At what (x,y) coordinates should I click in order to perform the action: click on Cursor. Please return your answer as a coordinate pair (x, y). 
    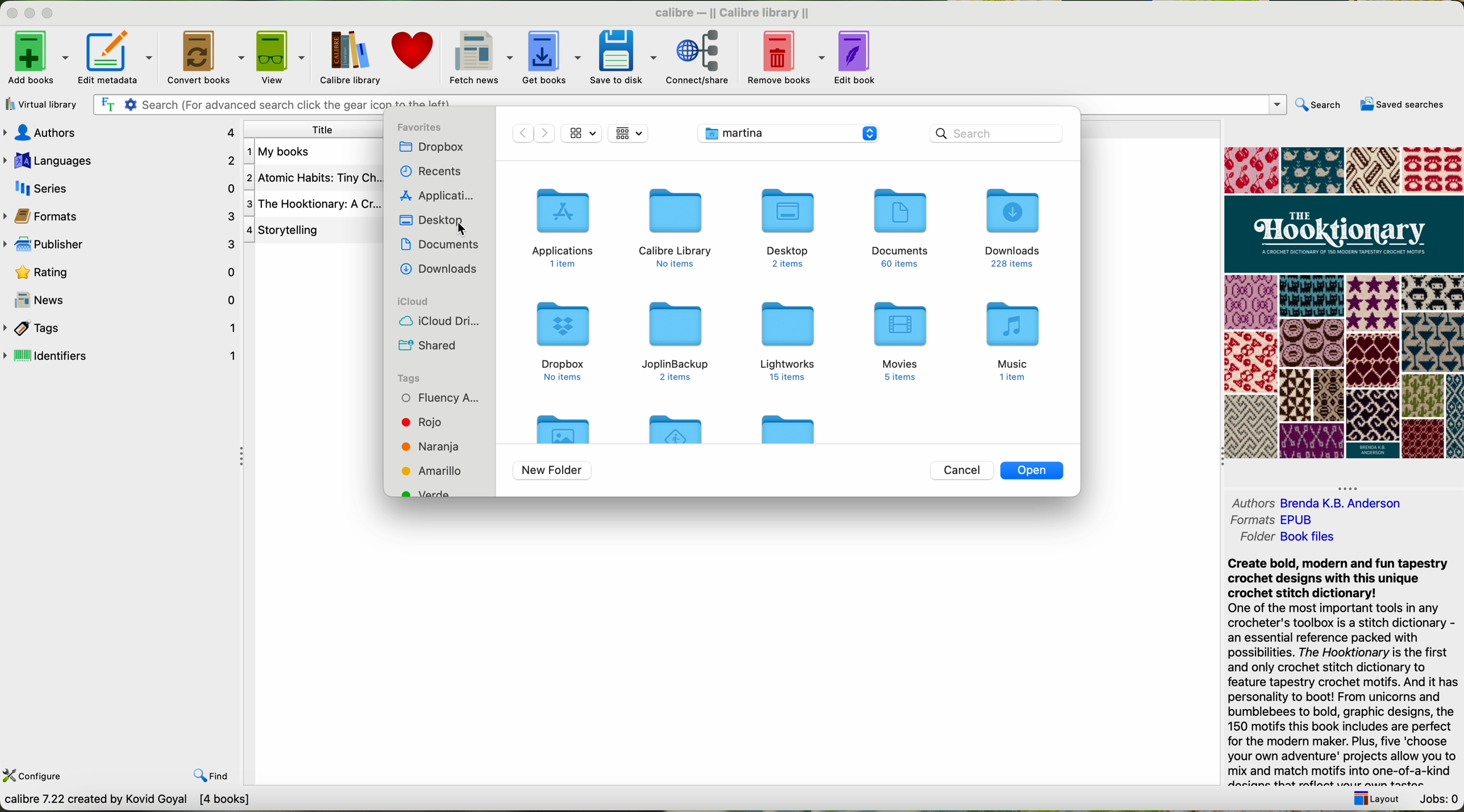
    Looking at the image, I should click on (460, 230).